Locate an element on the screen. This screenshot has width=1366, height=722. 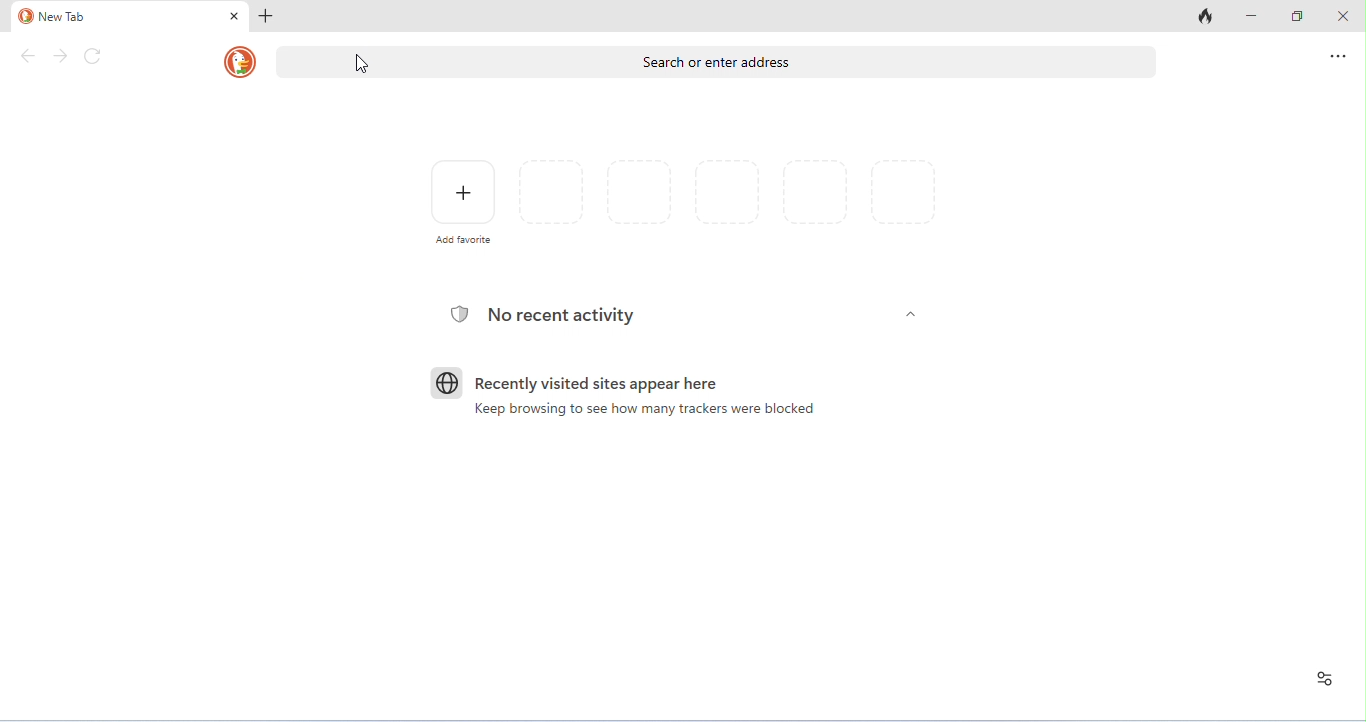
close is located at coordinates (236, 17).